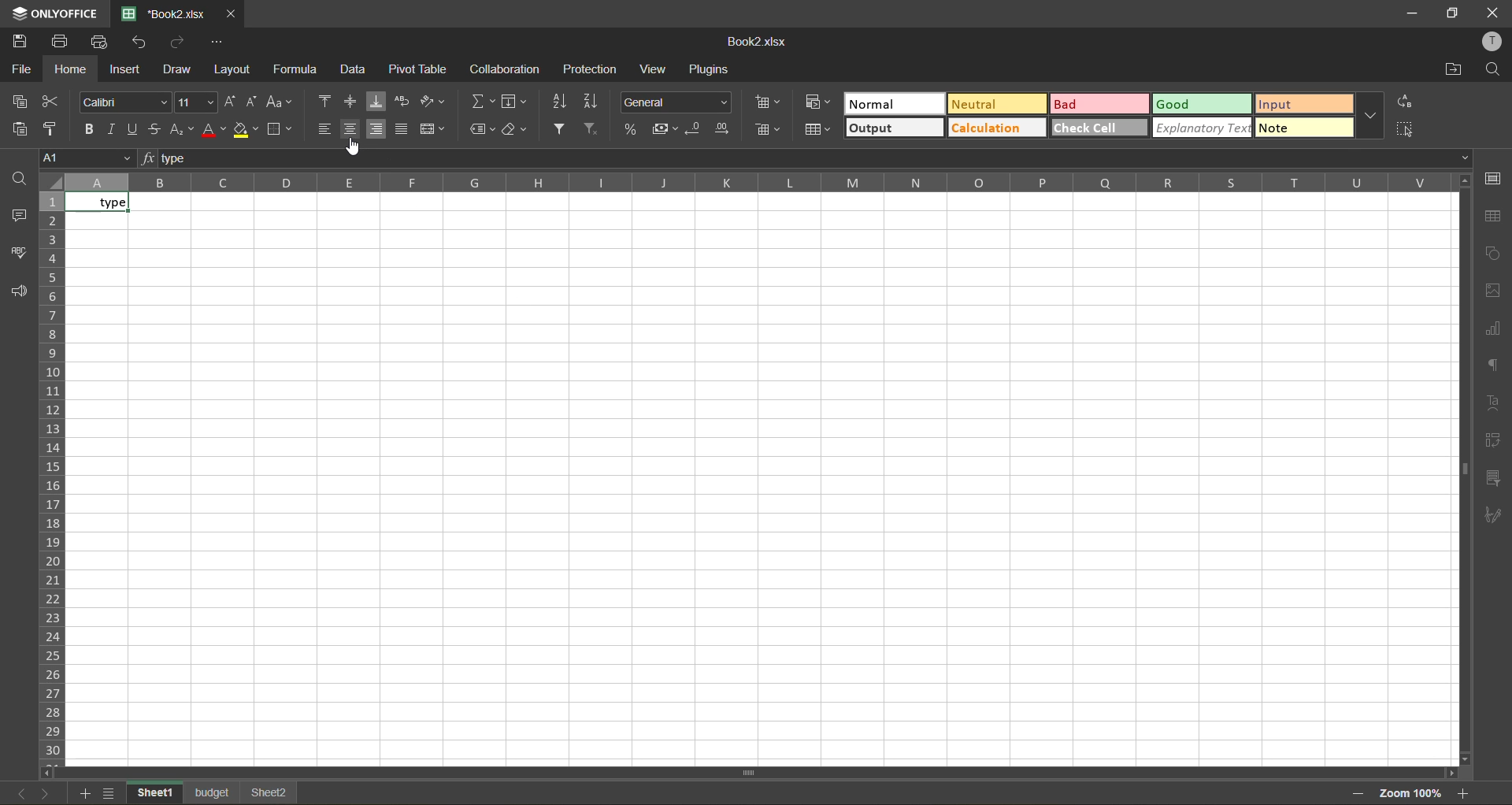  What do you see at coordinates (222, 43) in the screenshot?
I see `customize quick access toolbar` at bounding box center [222, 43].